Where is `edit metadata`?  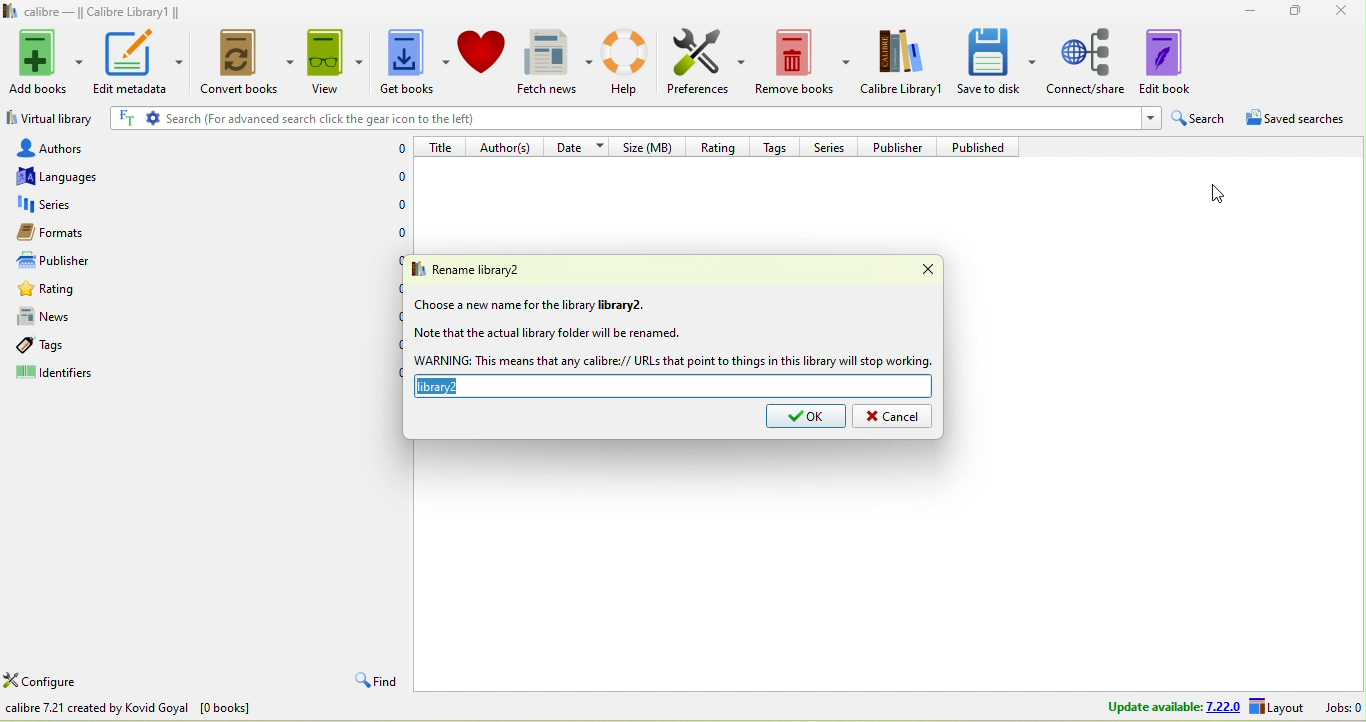 edit metadata is located at coordinates (138, 61).